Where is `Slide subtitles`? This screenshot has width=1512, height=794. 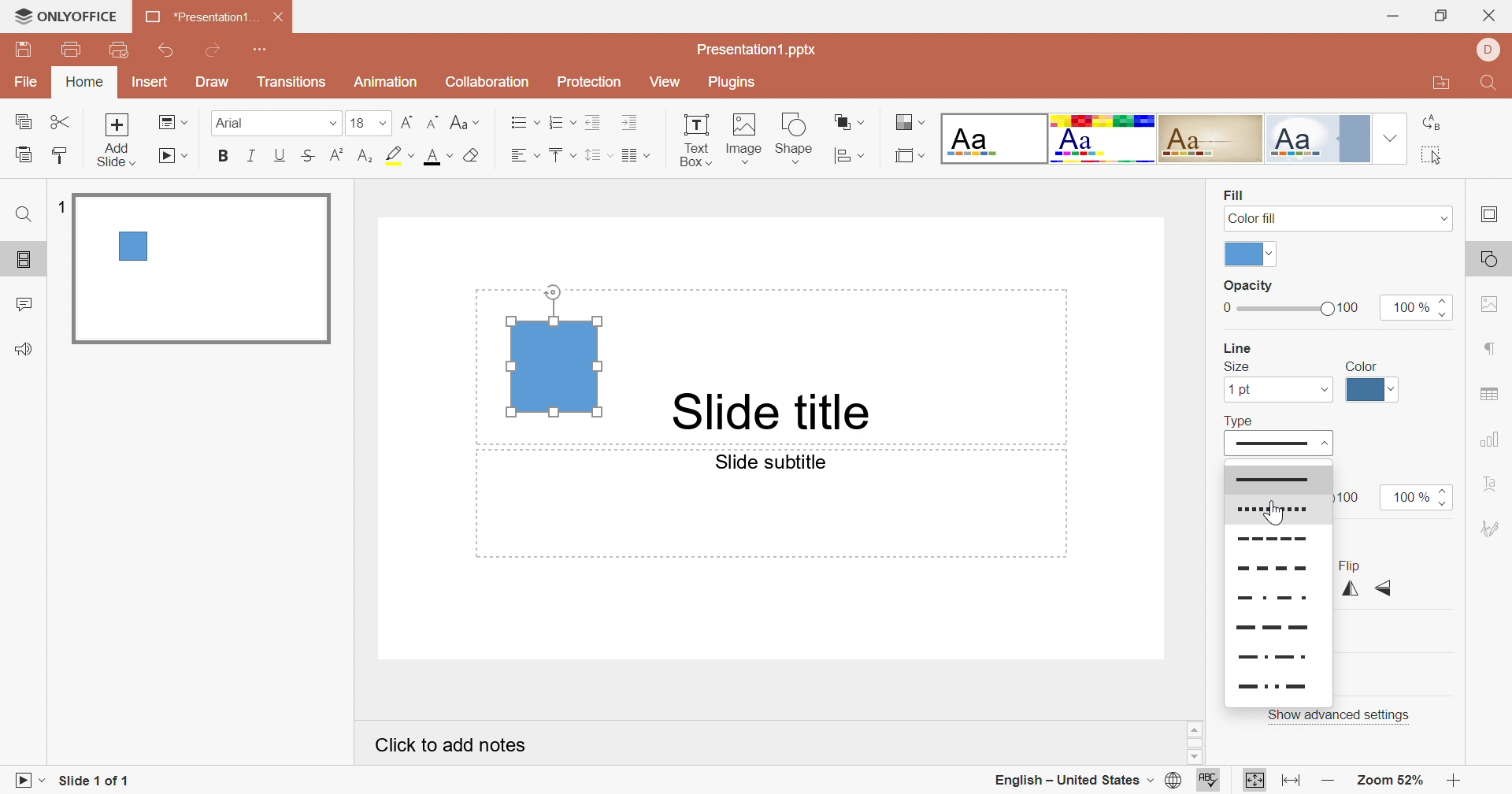
Slide subtitles is located at coordinates (780, 465).